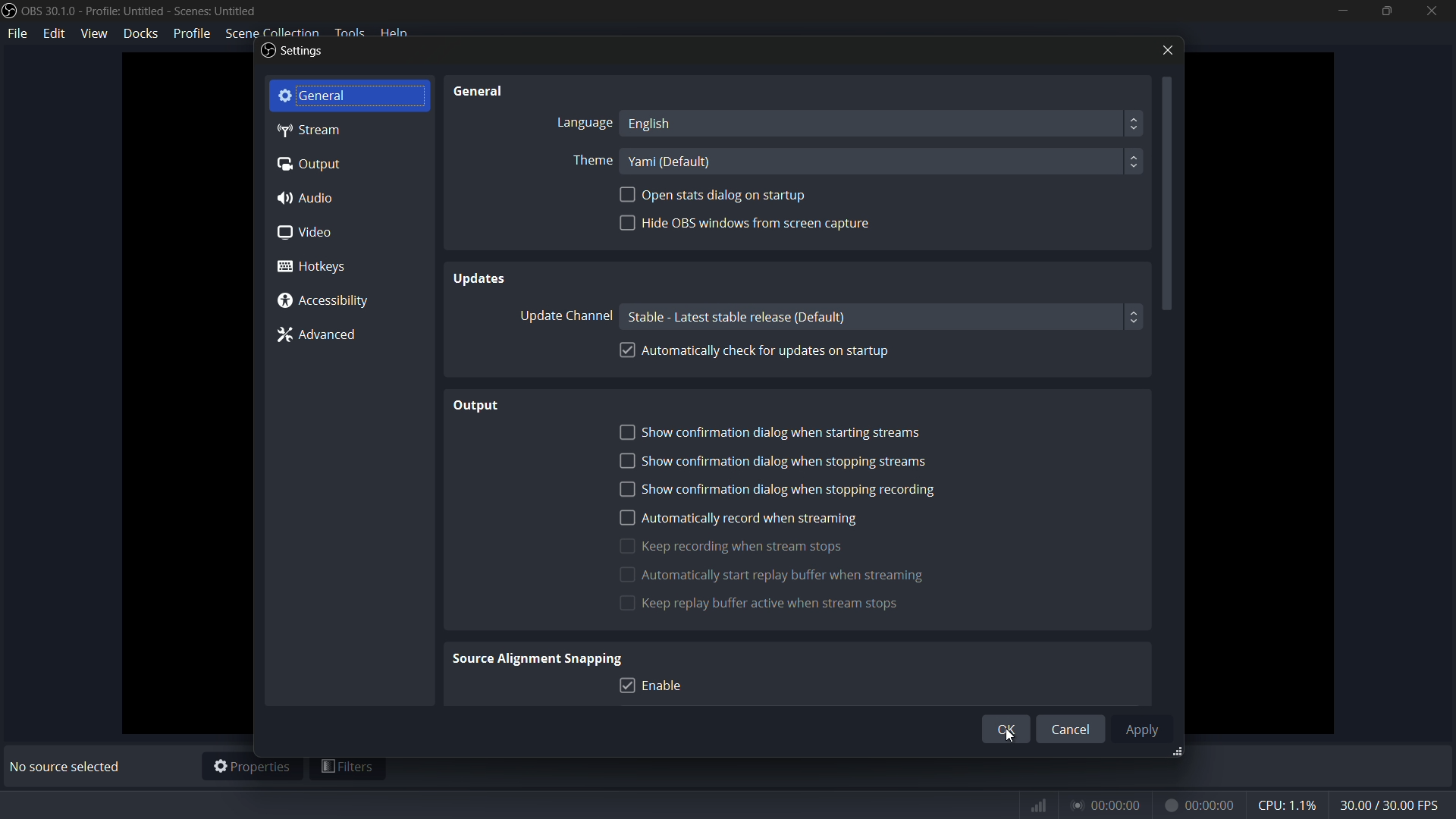  What do you see at coordinates (10, 12) in the screenshot?
I see `logo` at bounding box center [10, 12].